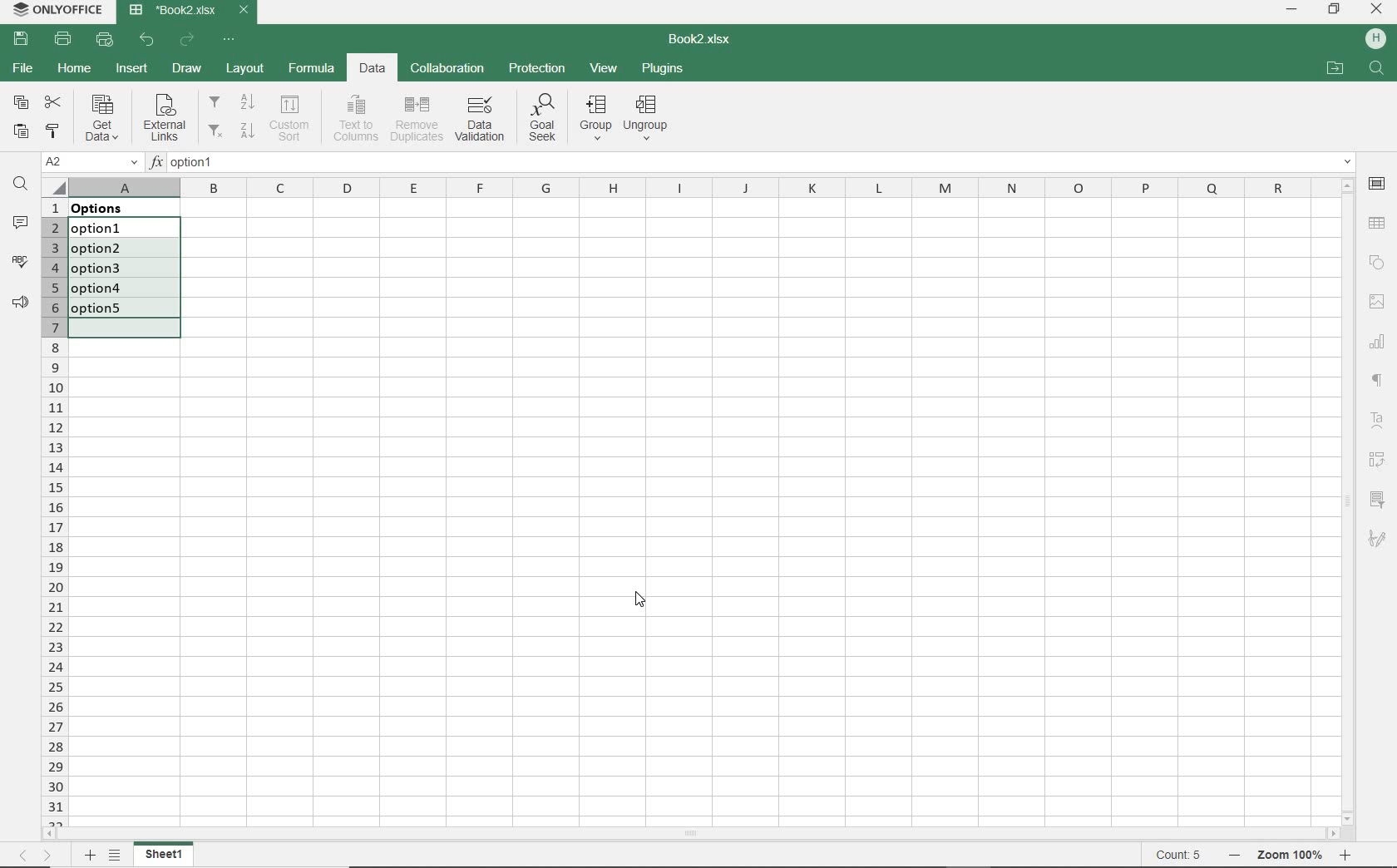 Image resolution: width=1397 pixels, height=868 pixels. What do you see at coordinates (131, 70) in the screenshot?
I see `INSERT` at bounding box center [131, 70].